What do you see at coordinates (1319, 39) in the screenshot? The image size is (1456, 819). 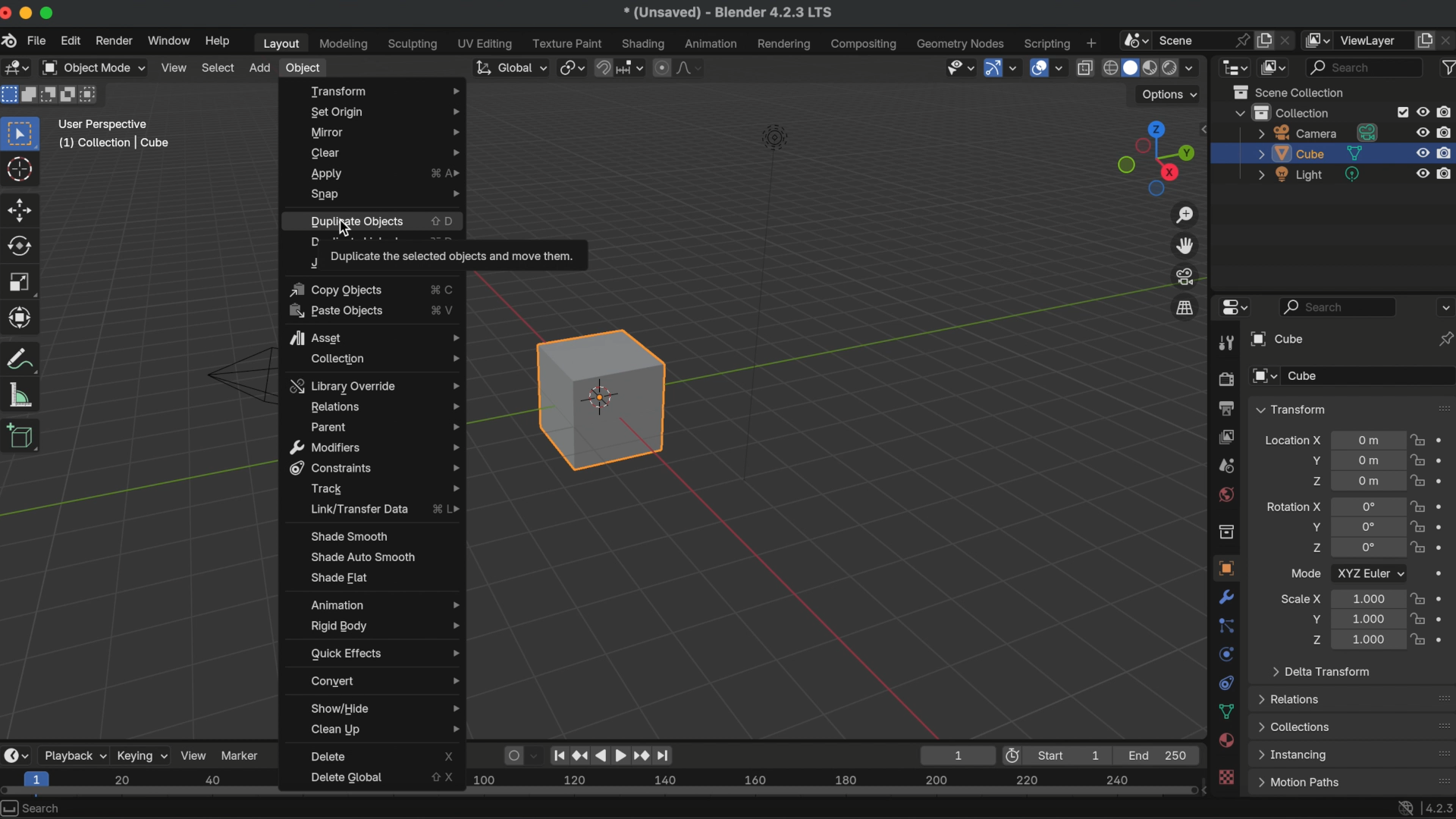 I see `active workspace view layer` at bounding box center [1319, 39].